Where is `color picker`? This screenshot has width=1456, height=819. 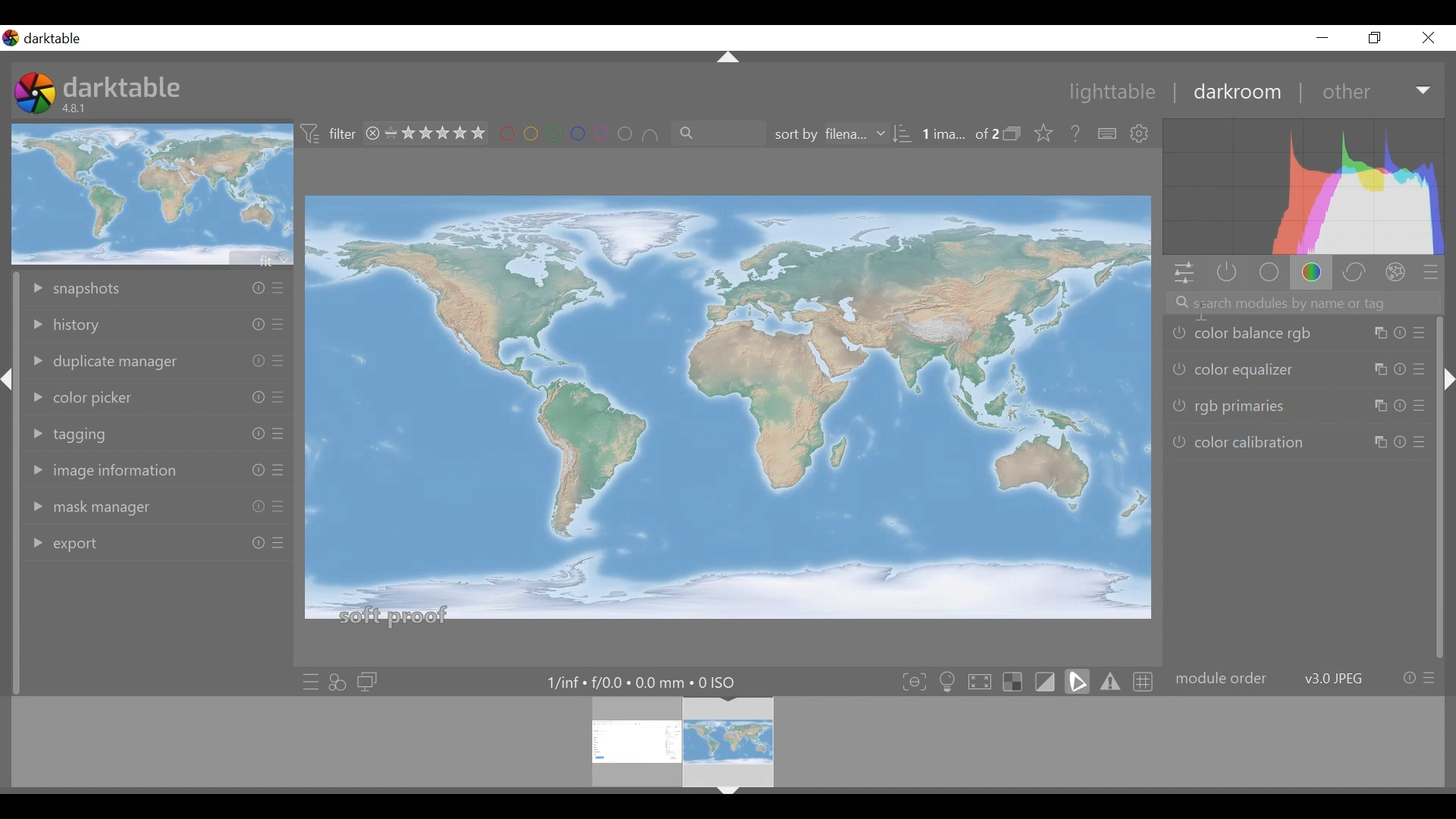
color picker is located at coordinates (105, 397).